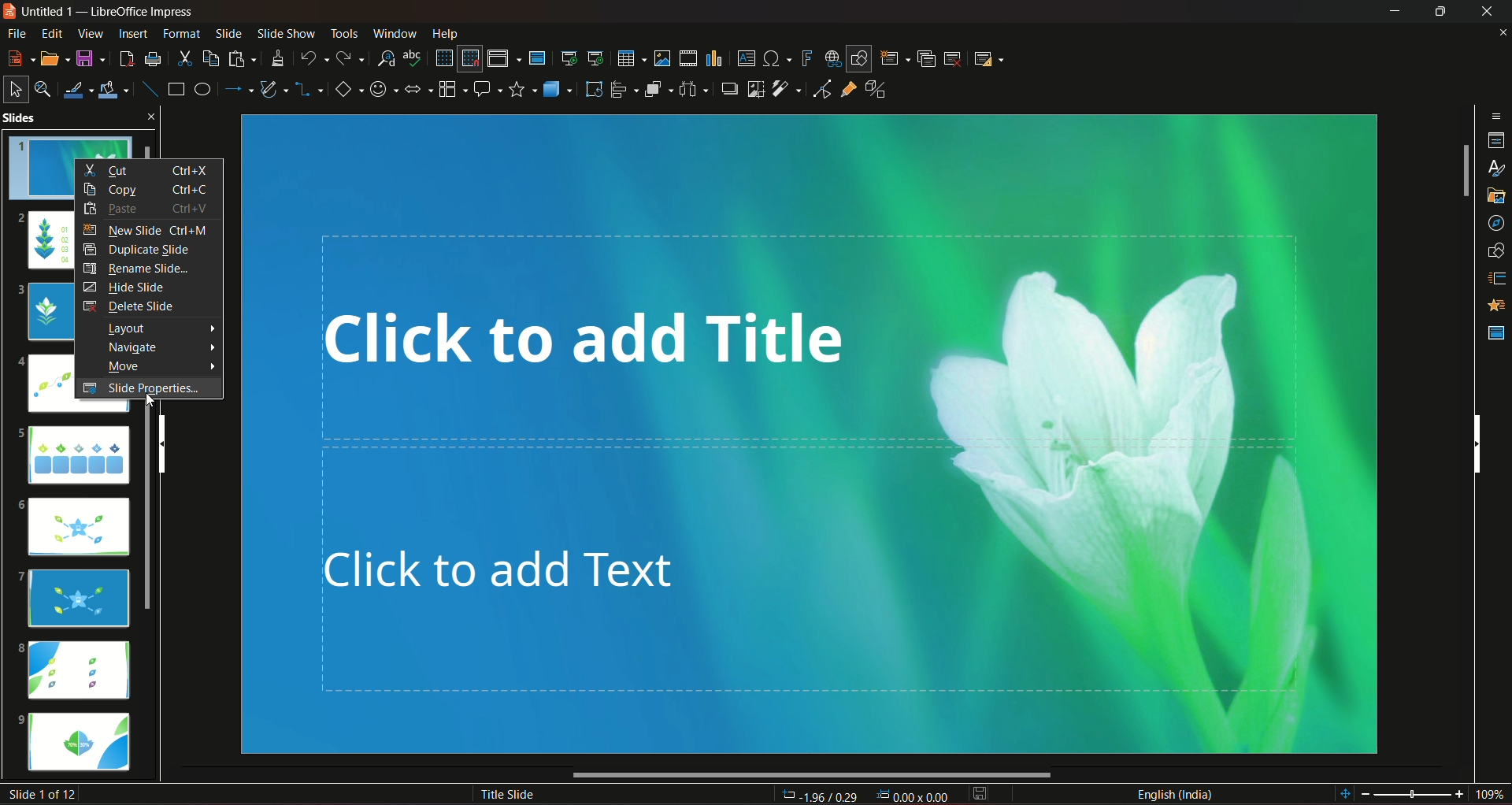 This screenshot has height=805, width=1512. Describe the element at coordinates (73, 453) in the screenshot. I see `slide 5` at that location.